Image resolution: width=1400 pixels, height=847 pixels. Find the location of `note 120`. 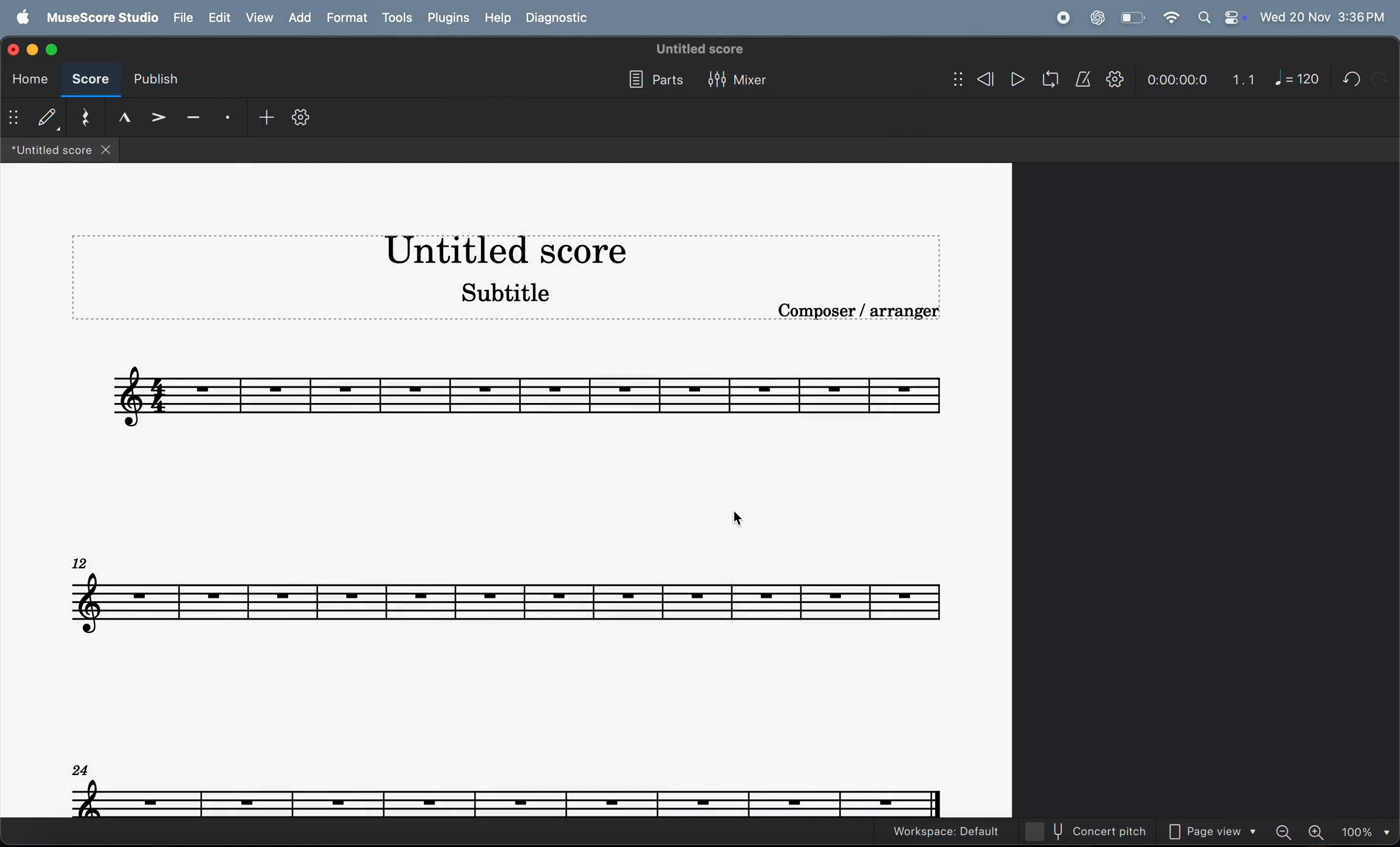

note 120 is located at coordinates (1298, 78).